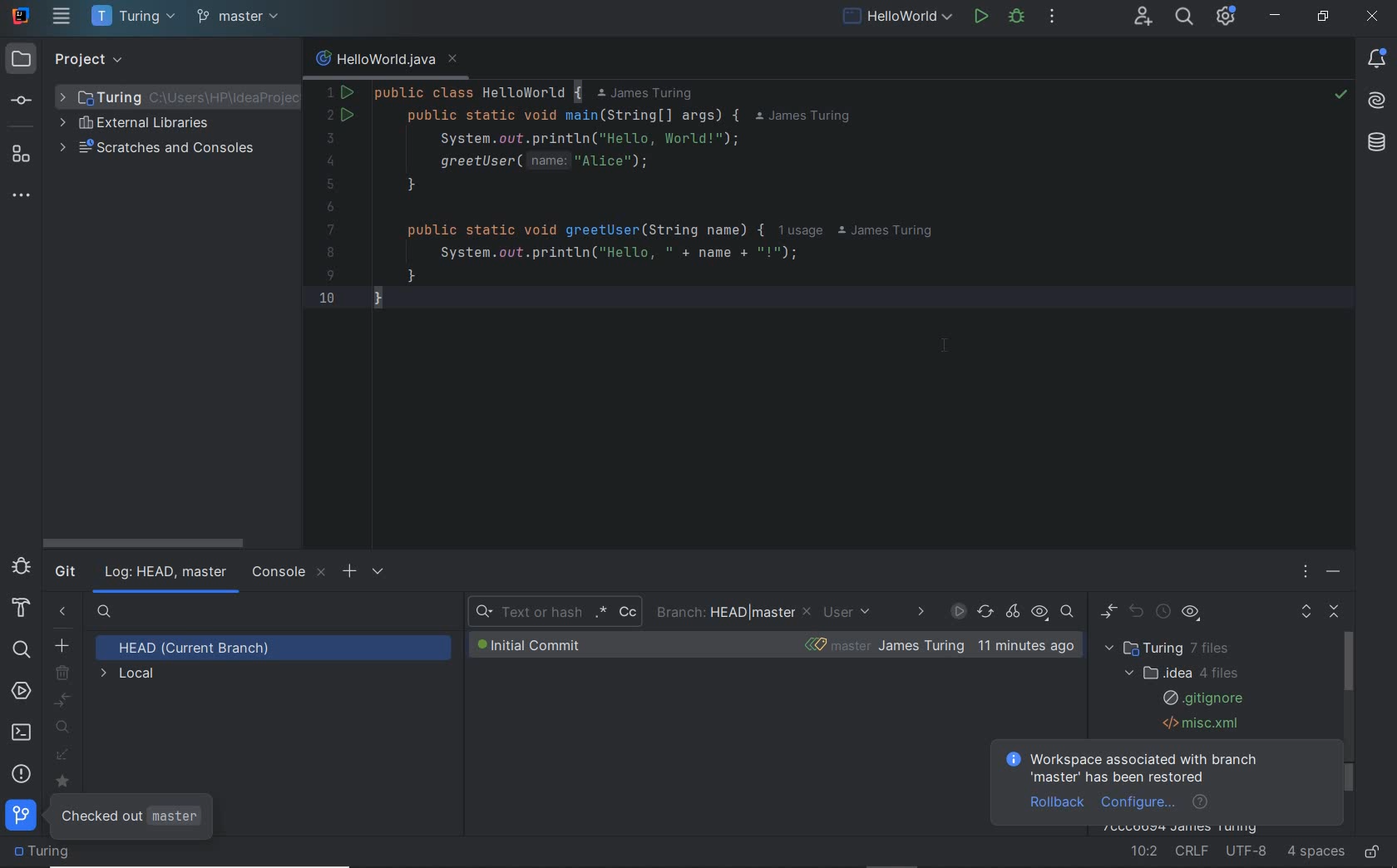  What do you see at coordinates (141, 543) in the screenshot?
I see `scrollbar` at bounding box center [141, 543].